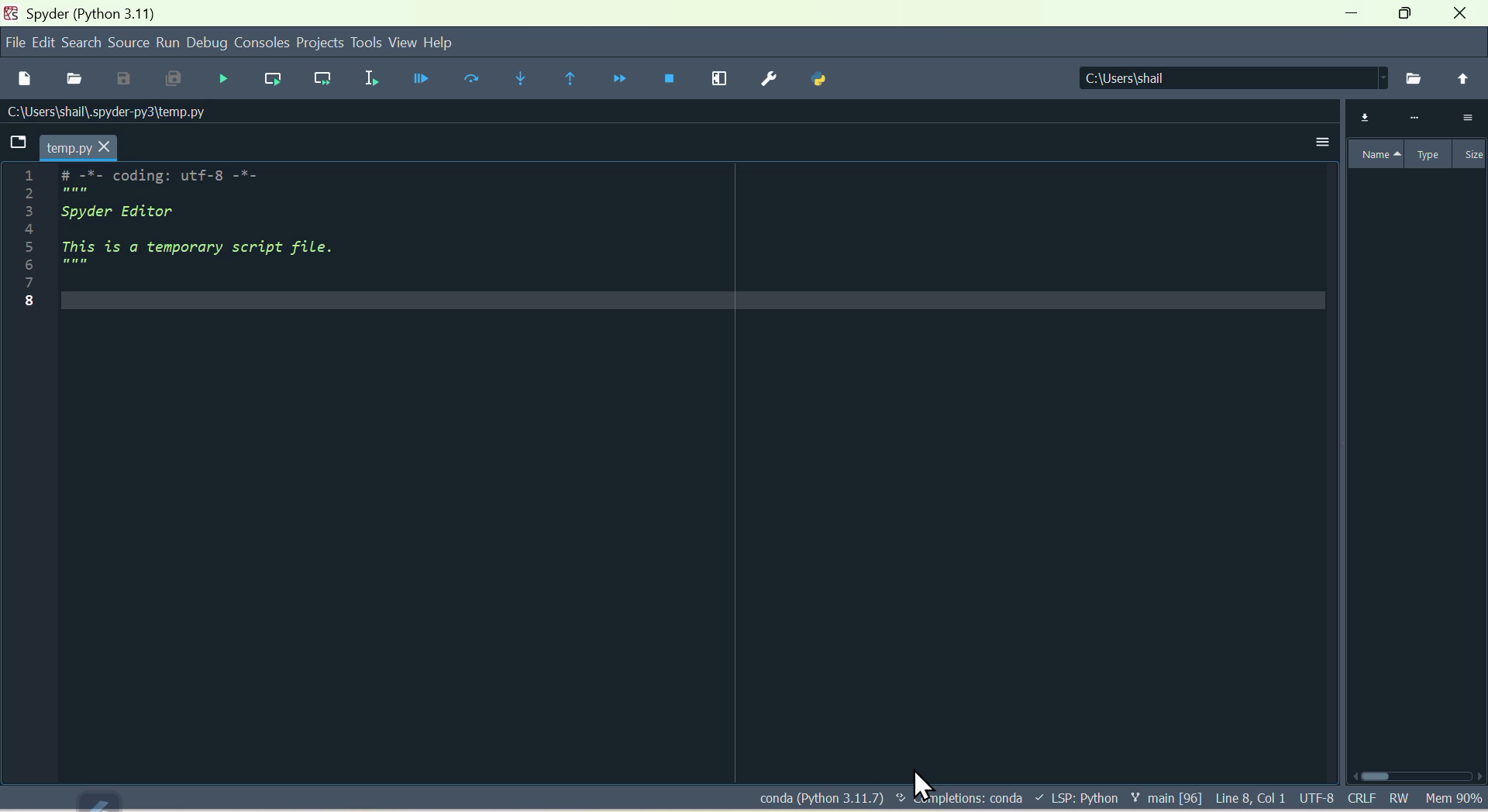  I want to click on Preferences, so click(771, 78).